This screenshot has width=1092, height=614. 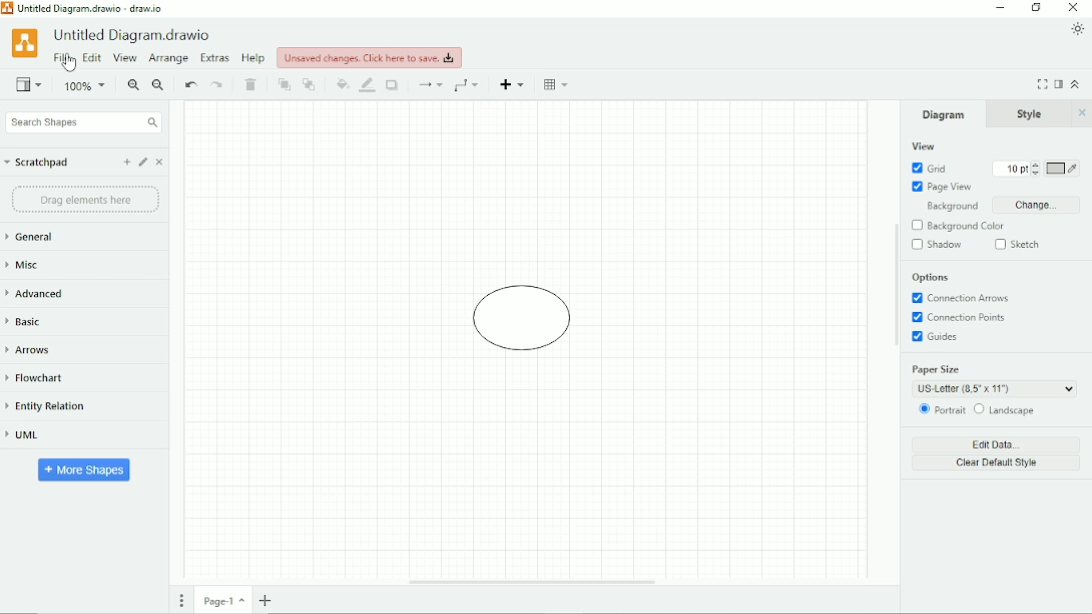 I want to click on Delete, so click(x=252, y=85).